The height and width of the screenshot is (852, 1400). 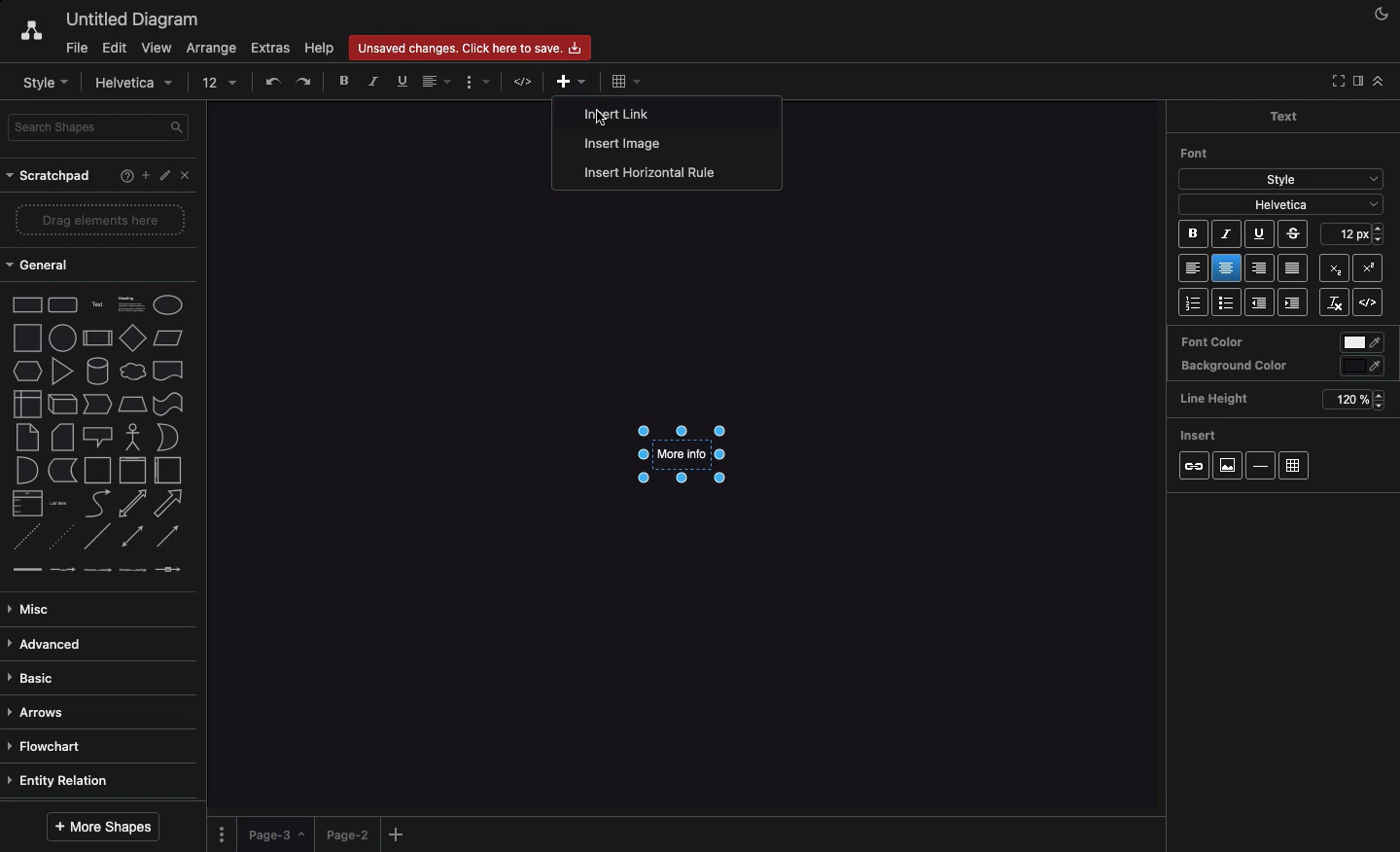 I want to click on Draw.io, so click(x=21, y=33).